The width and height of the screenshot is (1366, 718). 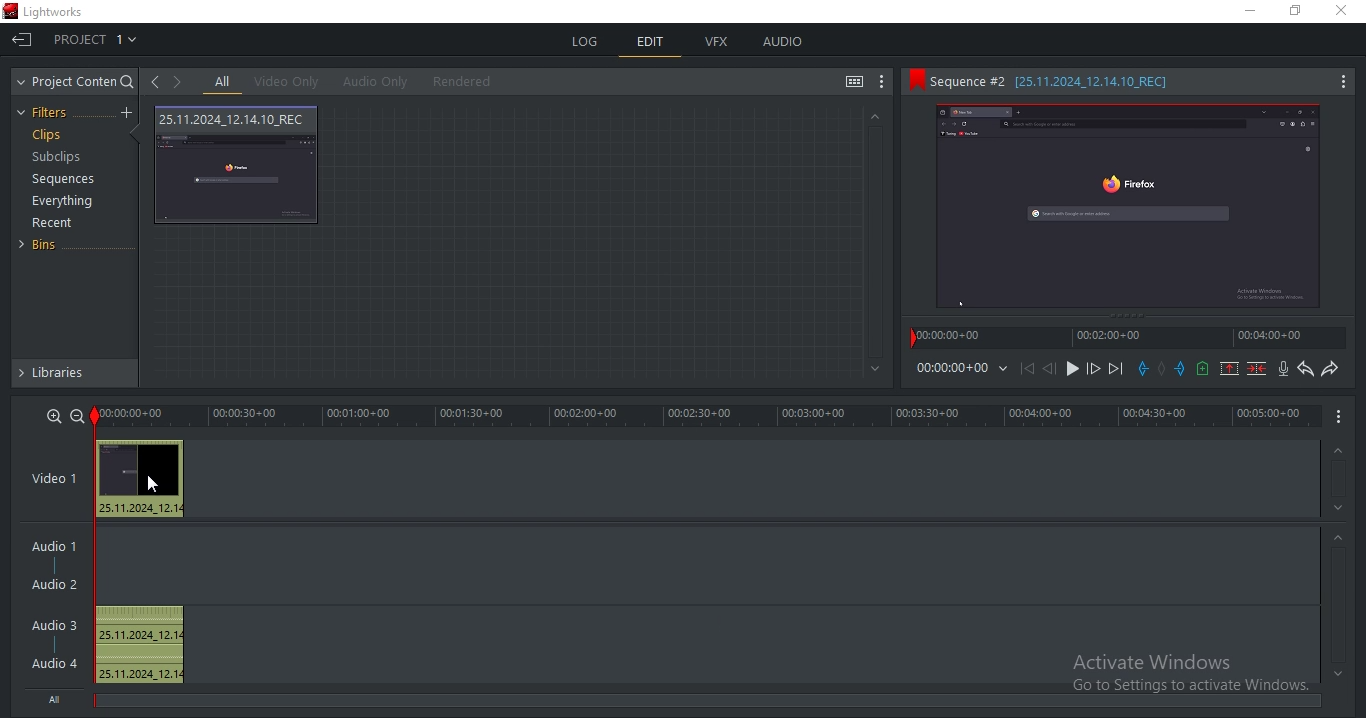 I want to click on options, so click(x=1337, y=418).